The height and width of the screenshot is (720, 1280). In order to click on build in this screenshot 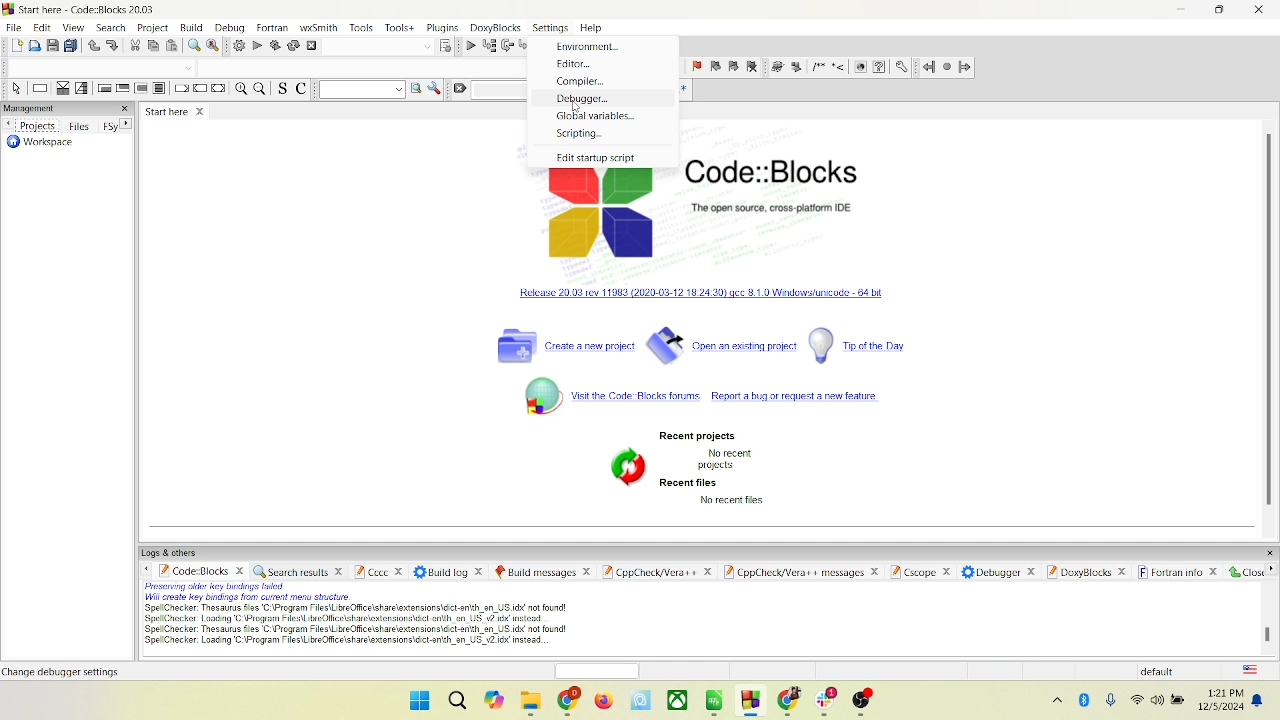, I will do `click(240, 46)`.